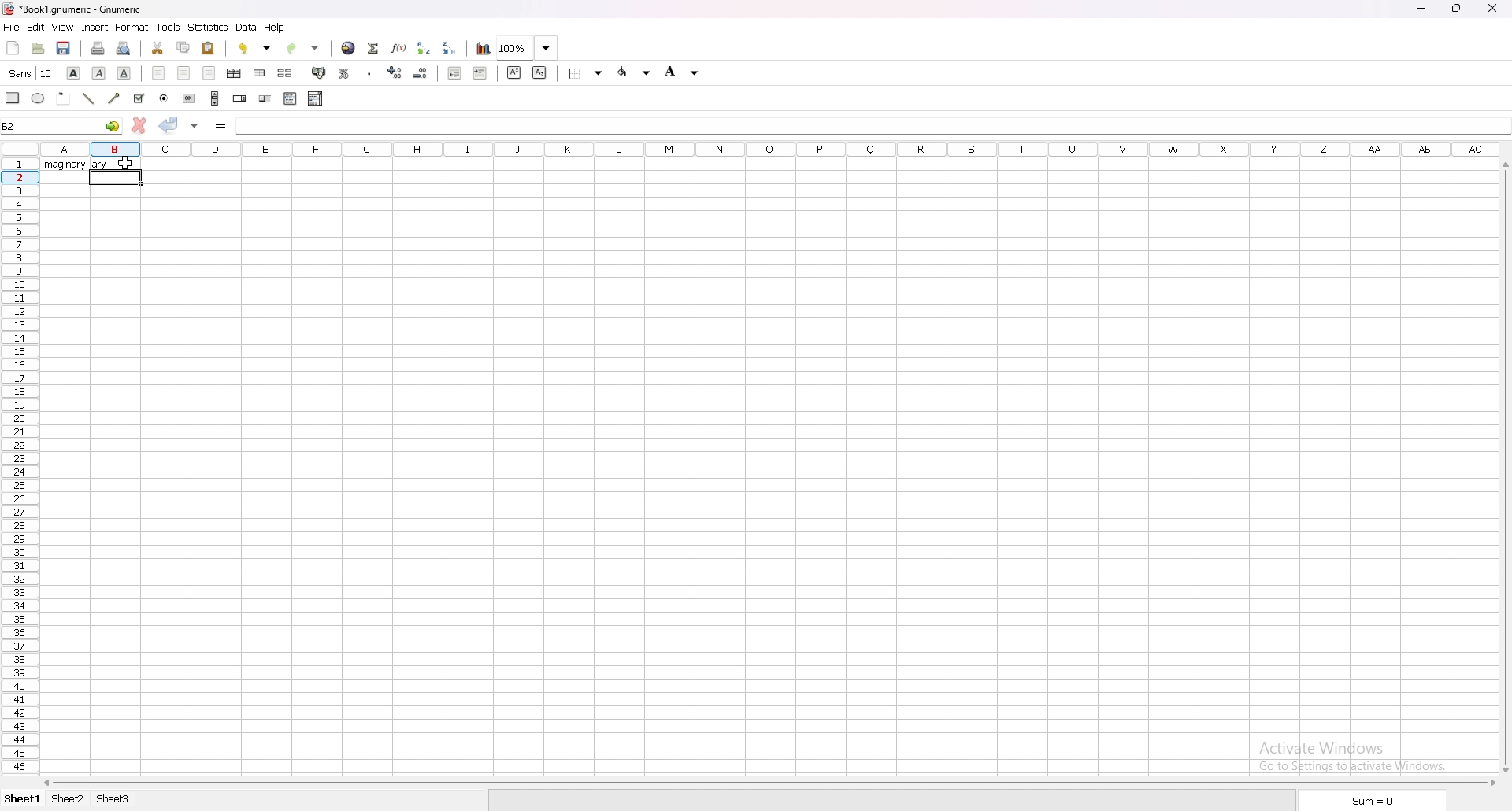 Image resolution: width=1512 pixels, height=811 pixels. I want to click on sort ascending, so click(425, 48).